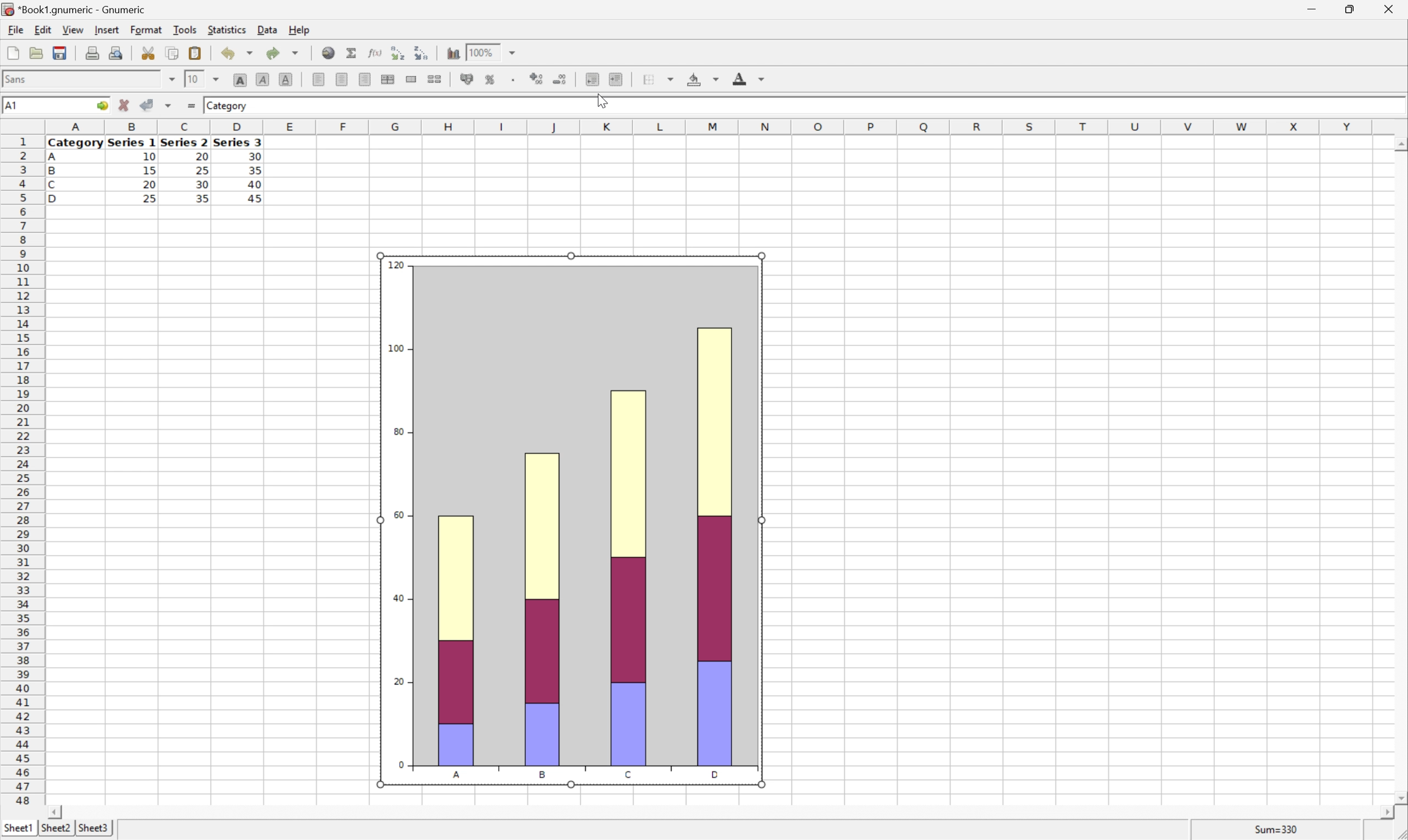 The height and width of the screenshot is (840, 1408). I want to click on Scroll Up, so click(1398, 143).